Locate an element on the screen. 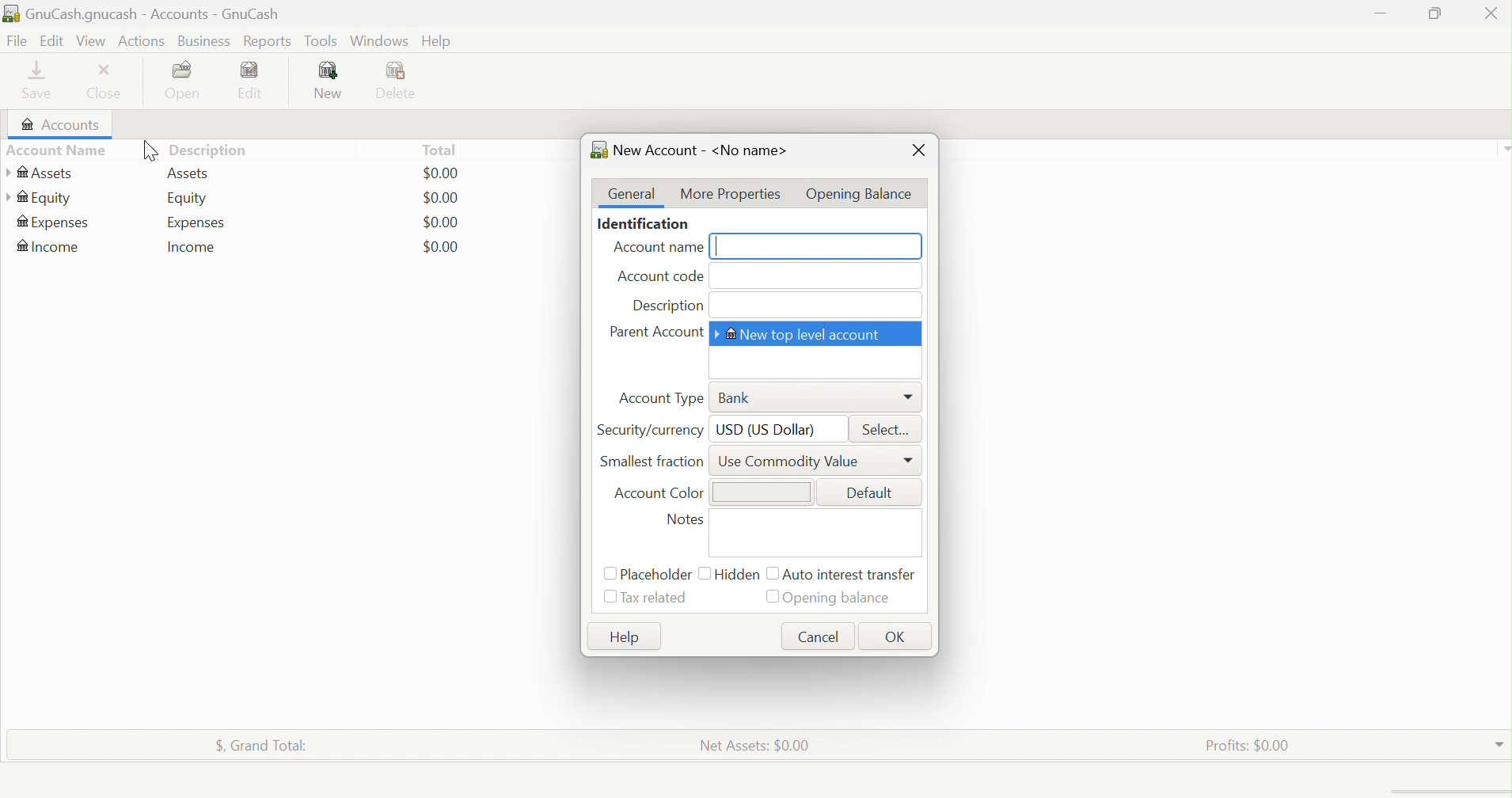 This screenshot has width=1512, height=798. Equity is located at coordinates (40, 197).